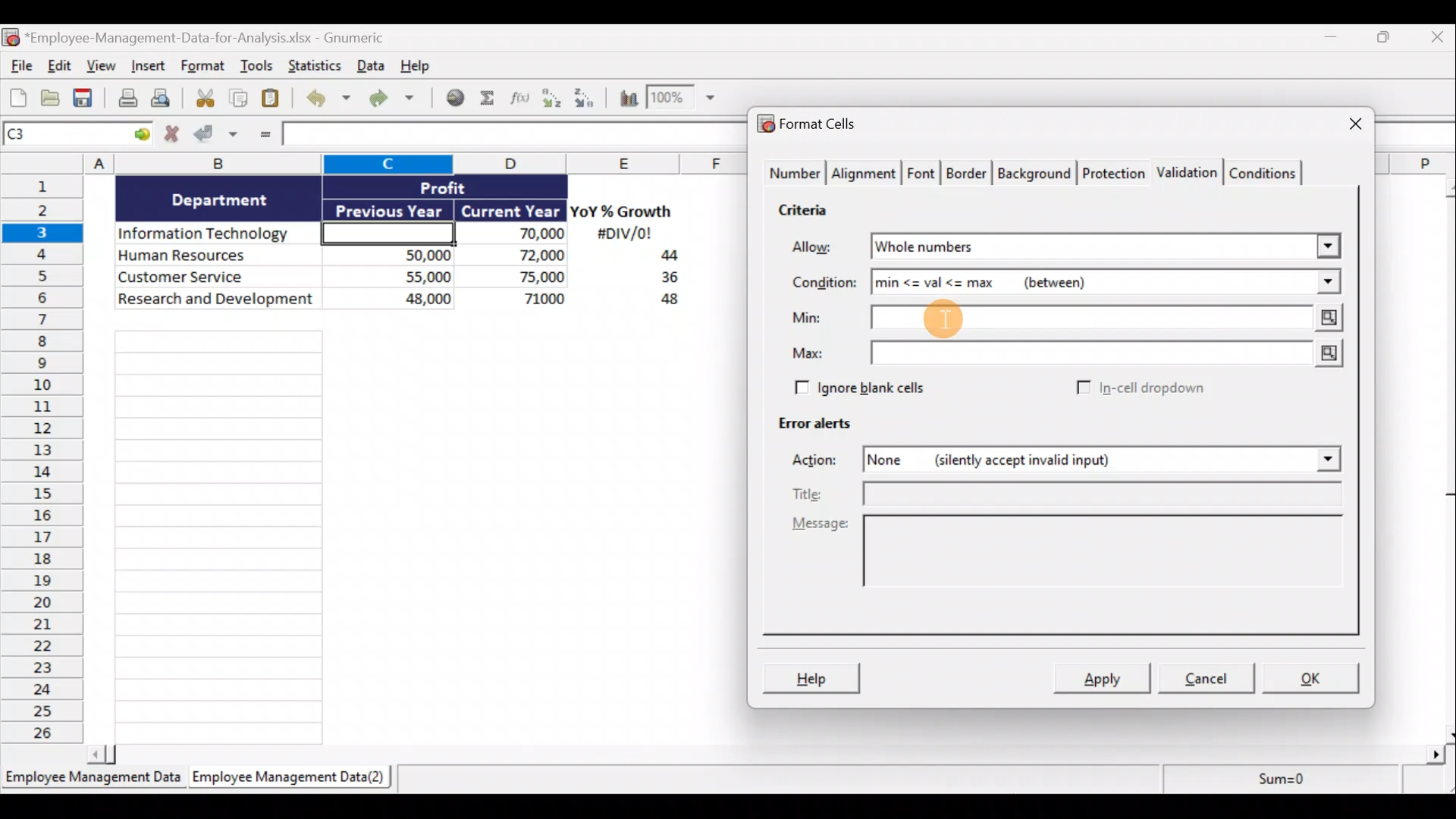 This screenshot has height=819, width=1456. I want to click on Information Technology, so click(218, 234).